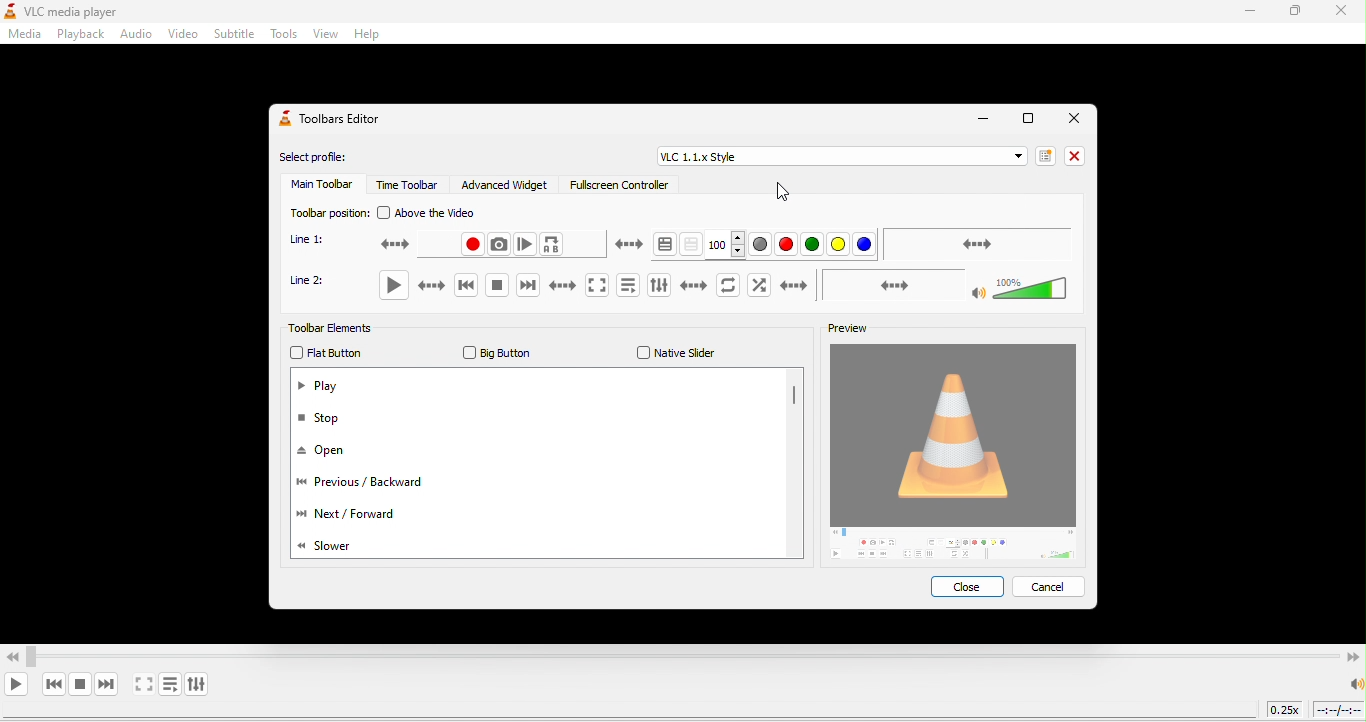 This screenshot has width=1366, height=722. I want to click on frame to frame, so click(526, 244).